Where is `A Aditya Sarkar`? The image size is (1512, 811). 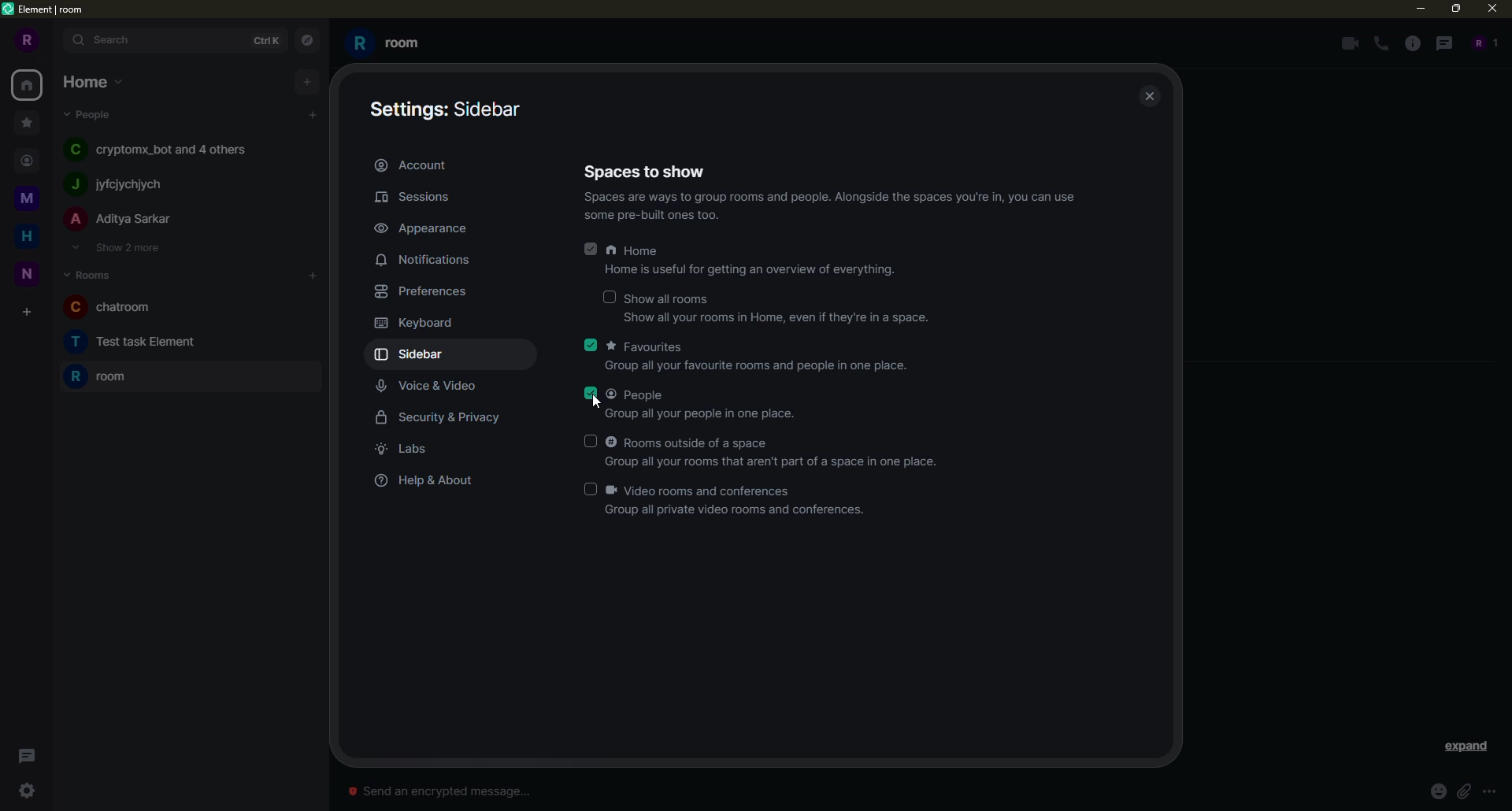 A Aditya Sarkar is located at coordinates (135, 223).